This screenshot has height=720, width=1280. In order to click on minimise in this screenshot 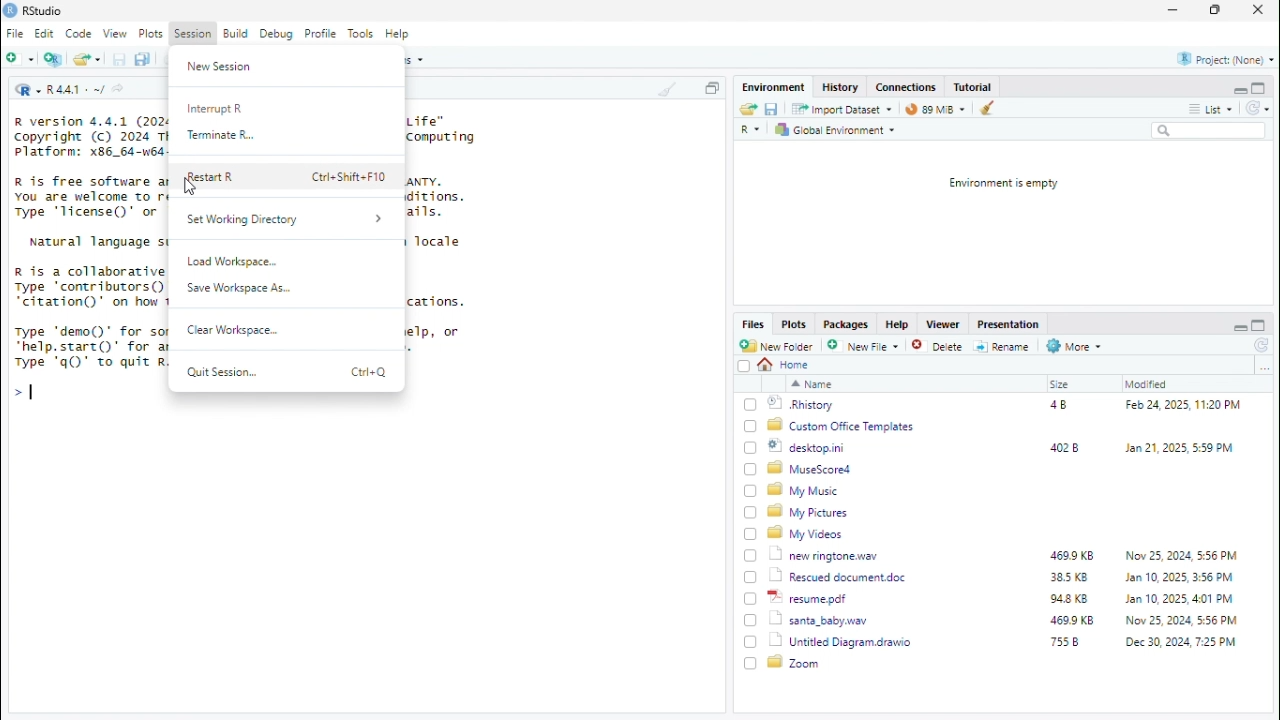, I will do `click(1239, 90)`.